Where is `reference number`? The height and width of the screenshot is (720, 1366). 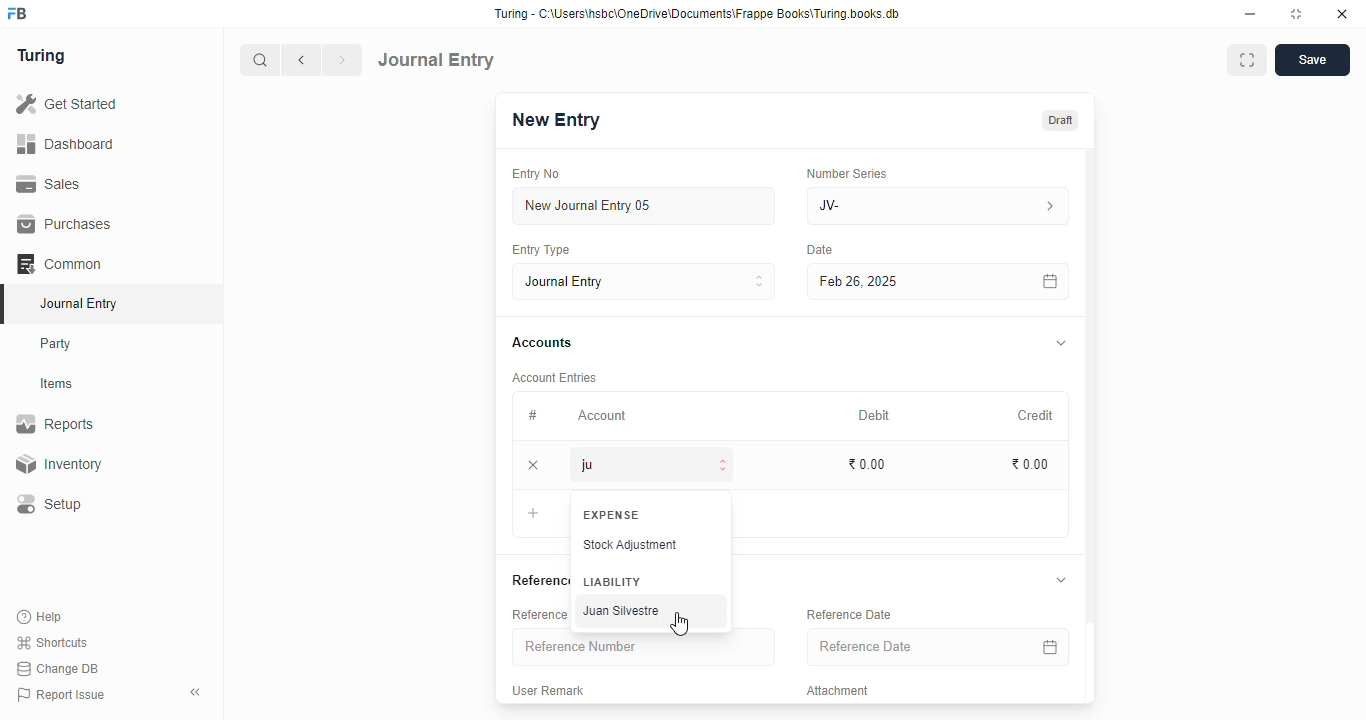 reference number is located at coordinates (537, 614).